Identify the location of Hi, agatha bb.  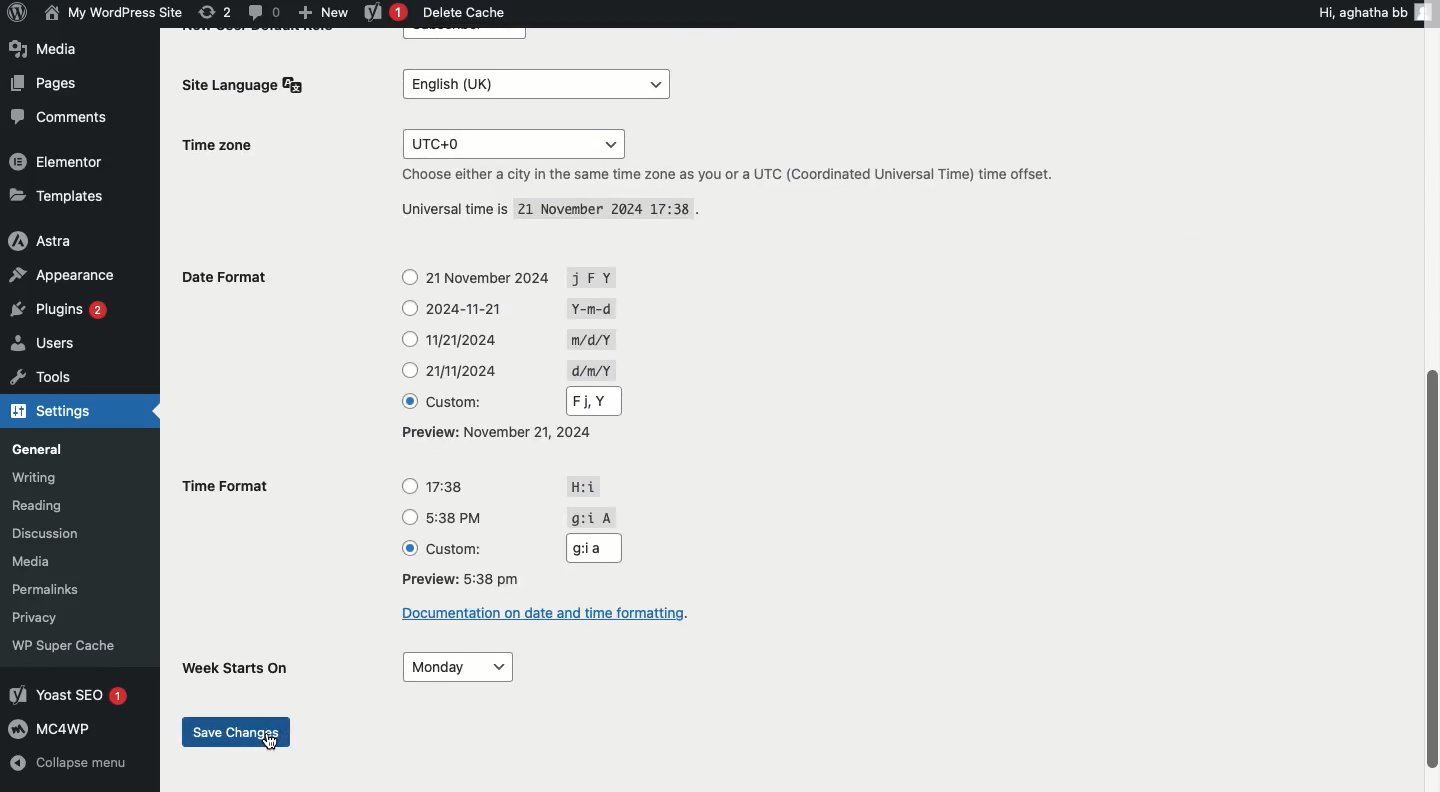
(1360, 11).